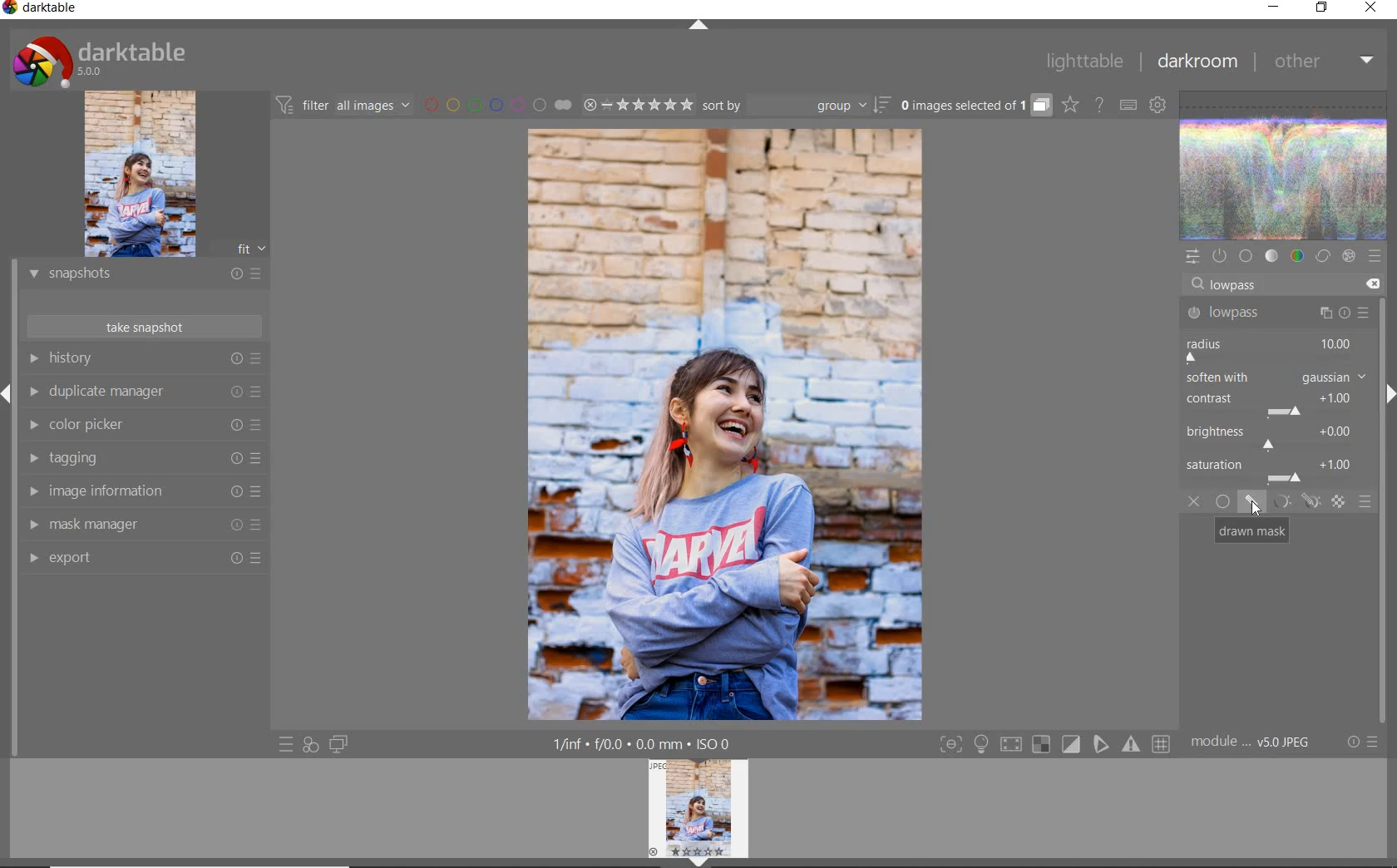 The image size is (1397, 868). What do you see at coordinates (1251, 530) in the screenshot?
I see `drawn mask` at bounding box center [1251, 530].